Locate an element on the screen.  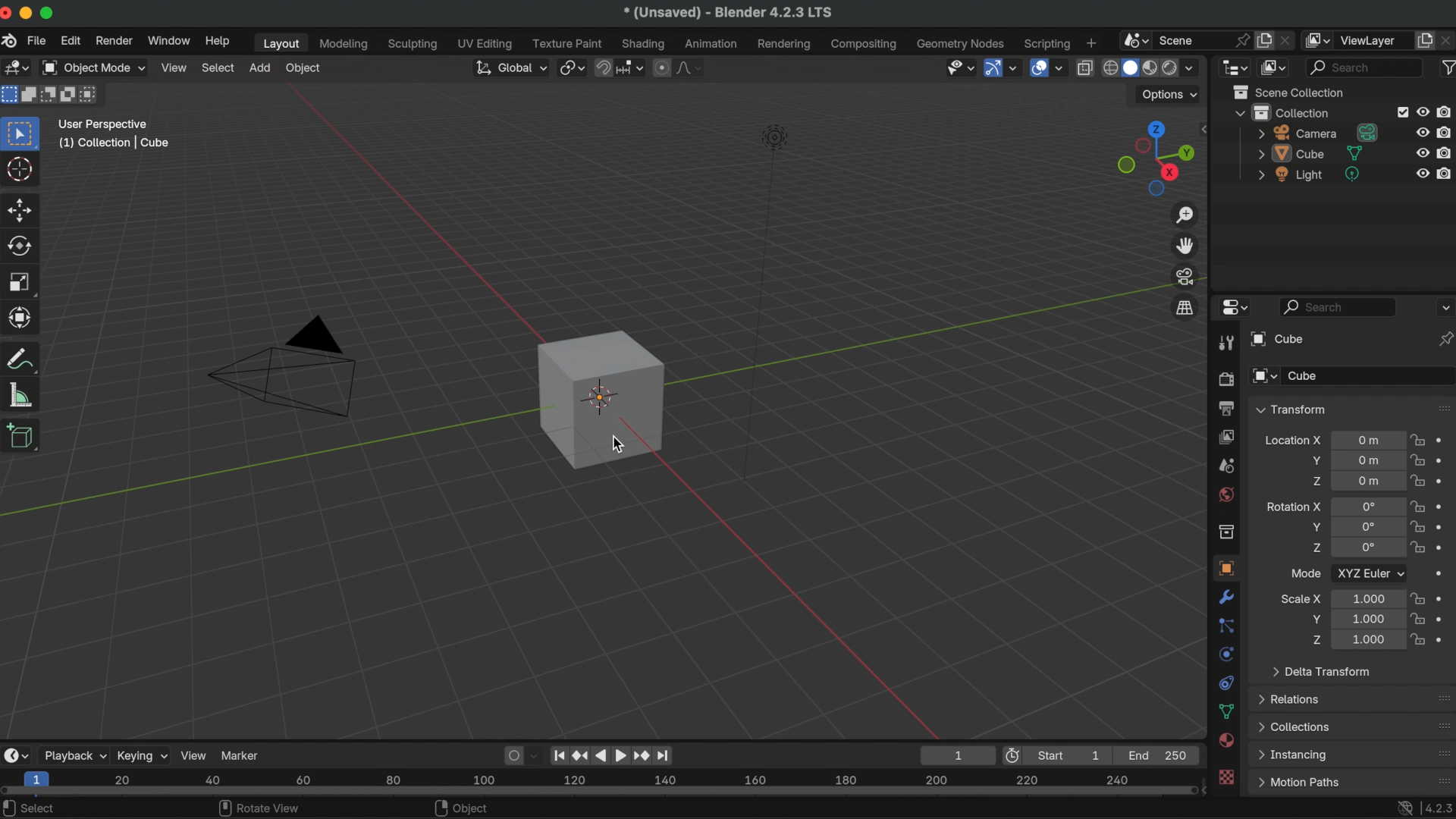
preset viewpoints is located at coordinates (1152, 158).